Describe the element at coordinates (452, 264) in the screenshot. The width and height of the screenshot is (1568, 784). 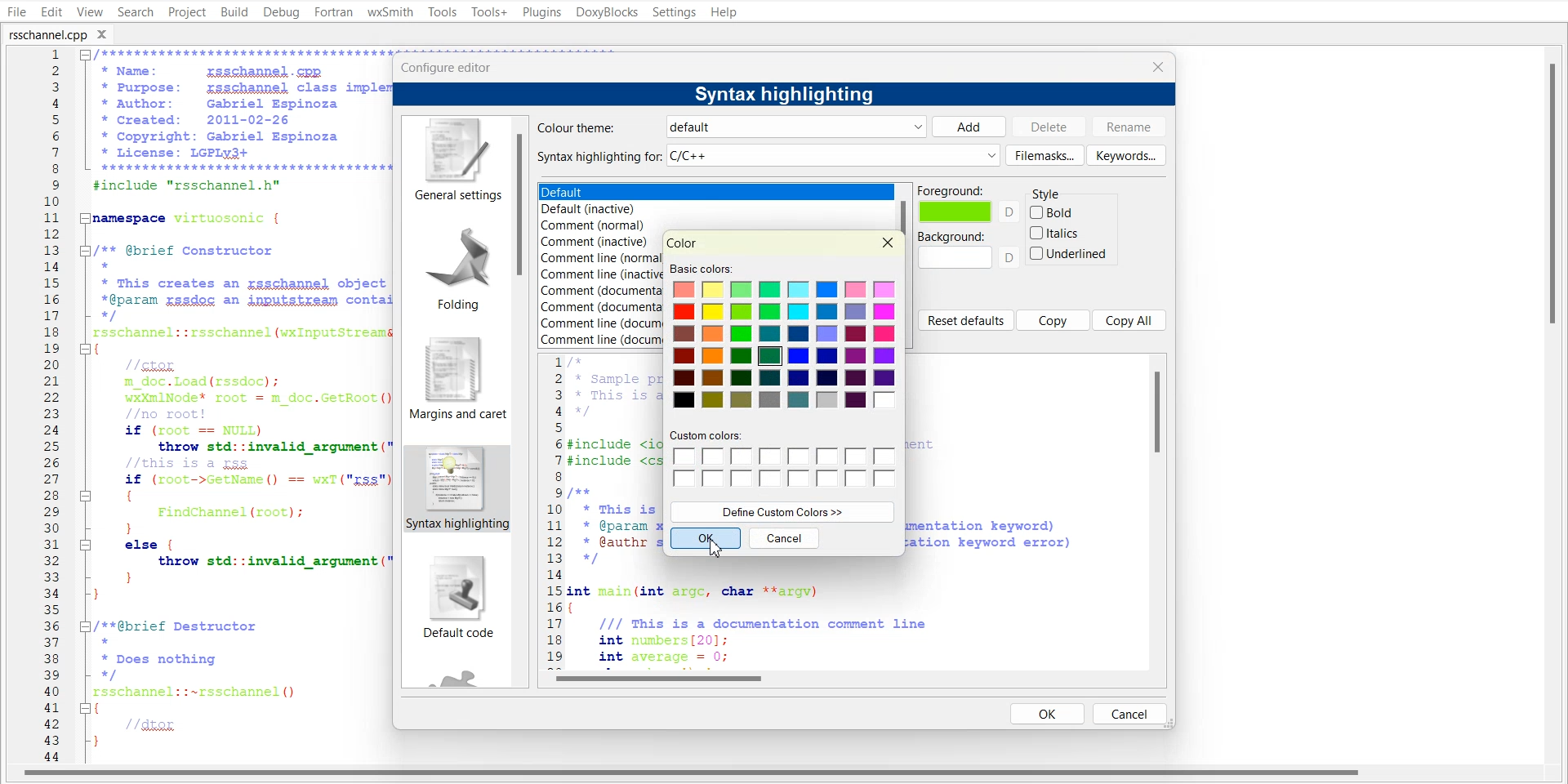
I see `Folding` at that location.